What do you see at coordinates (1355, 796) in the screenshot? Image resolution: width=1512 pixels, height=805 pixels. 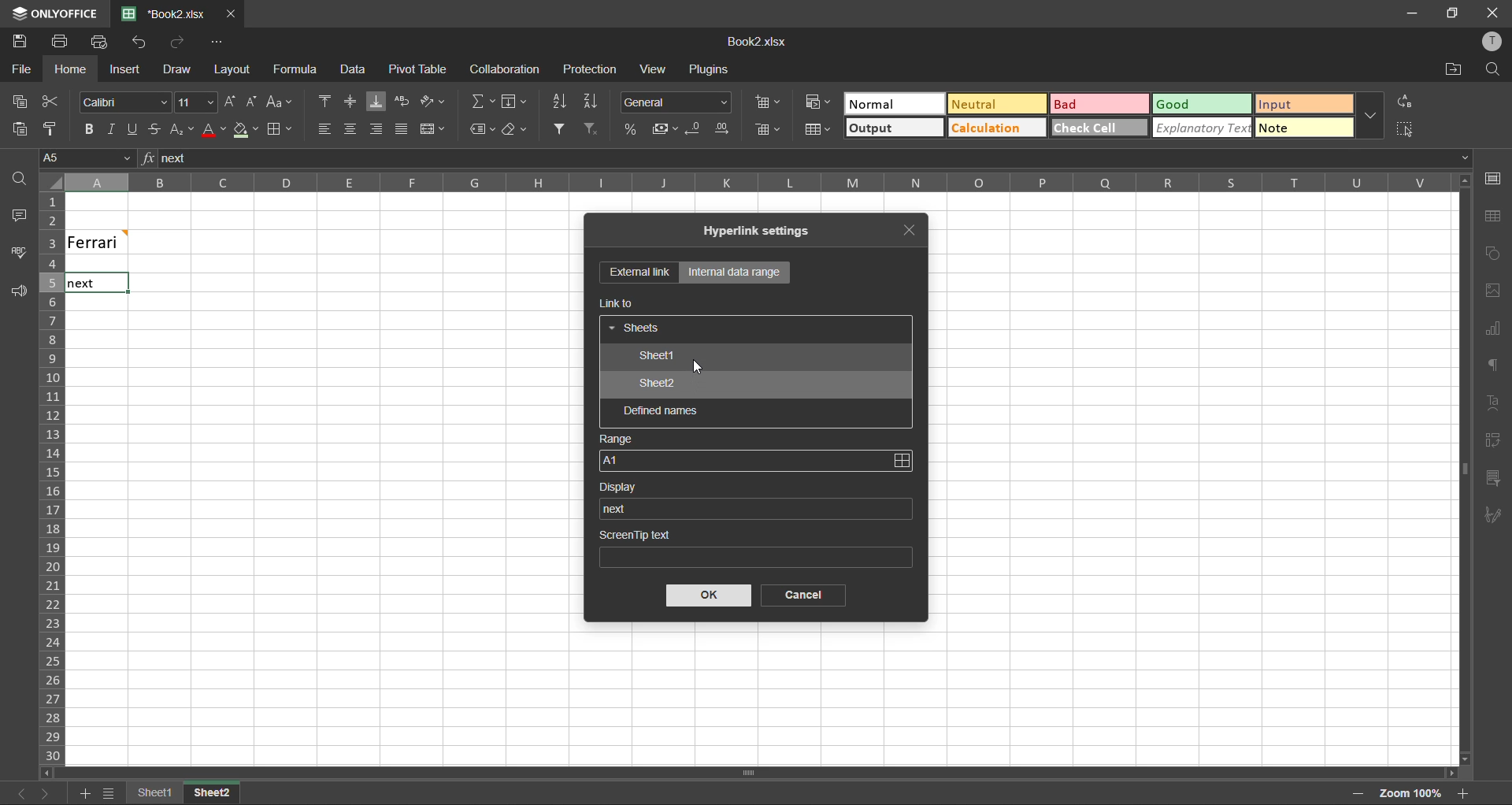 I see `zoom out` at bounding box center [1355, 796].